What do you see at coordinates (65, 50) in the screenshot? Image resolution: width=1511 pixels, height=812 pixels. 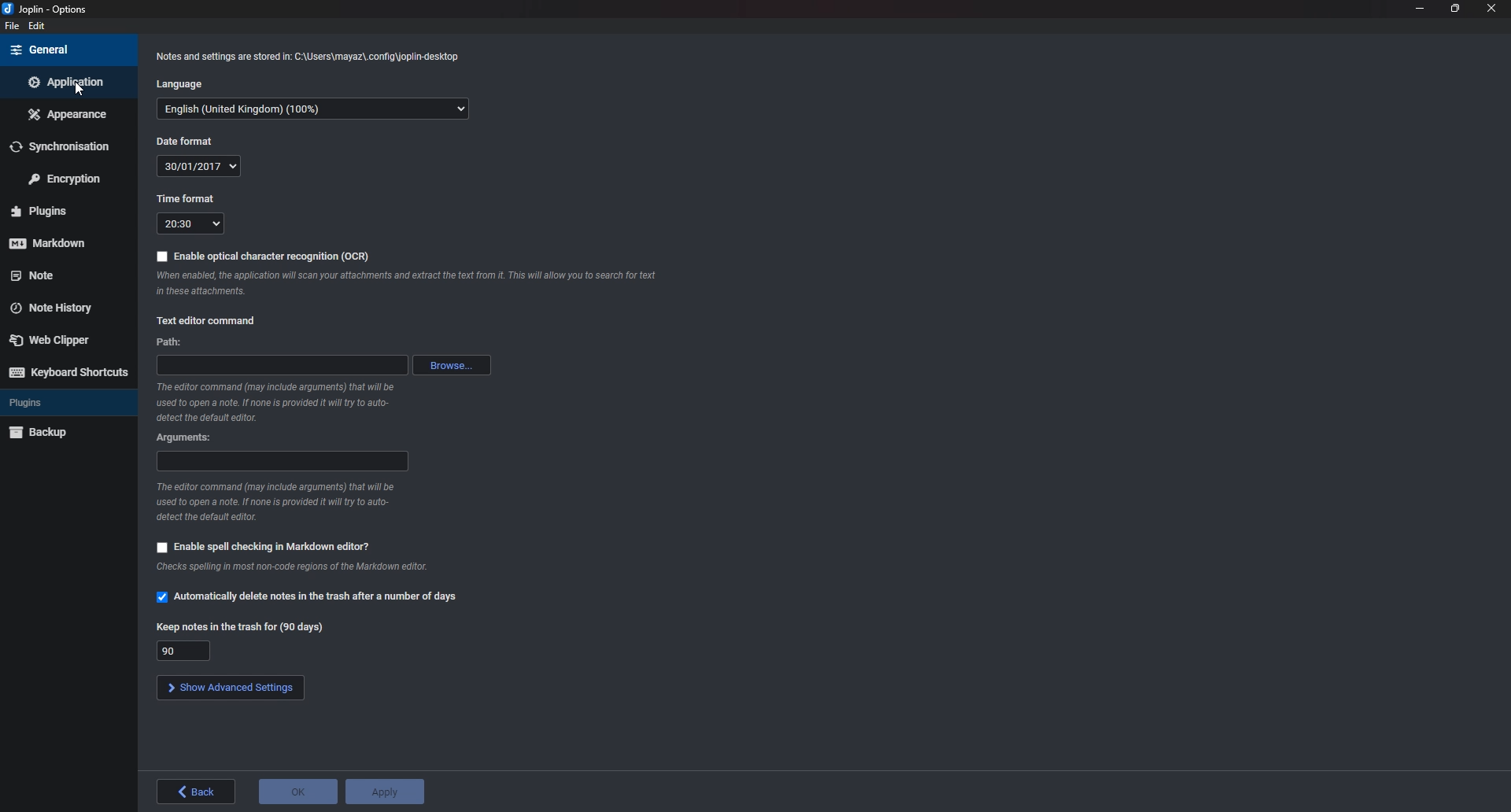 I see `General` at bounding box center [65, 50].